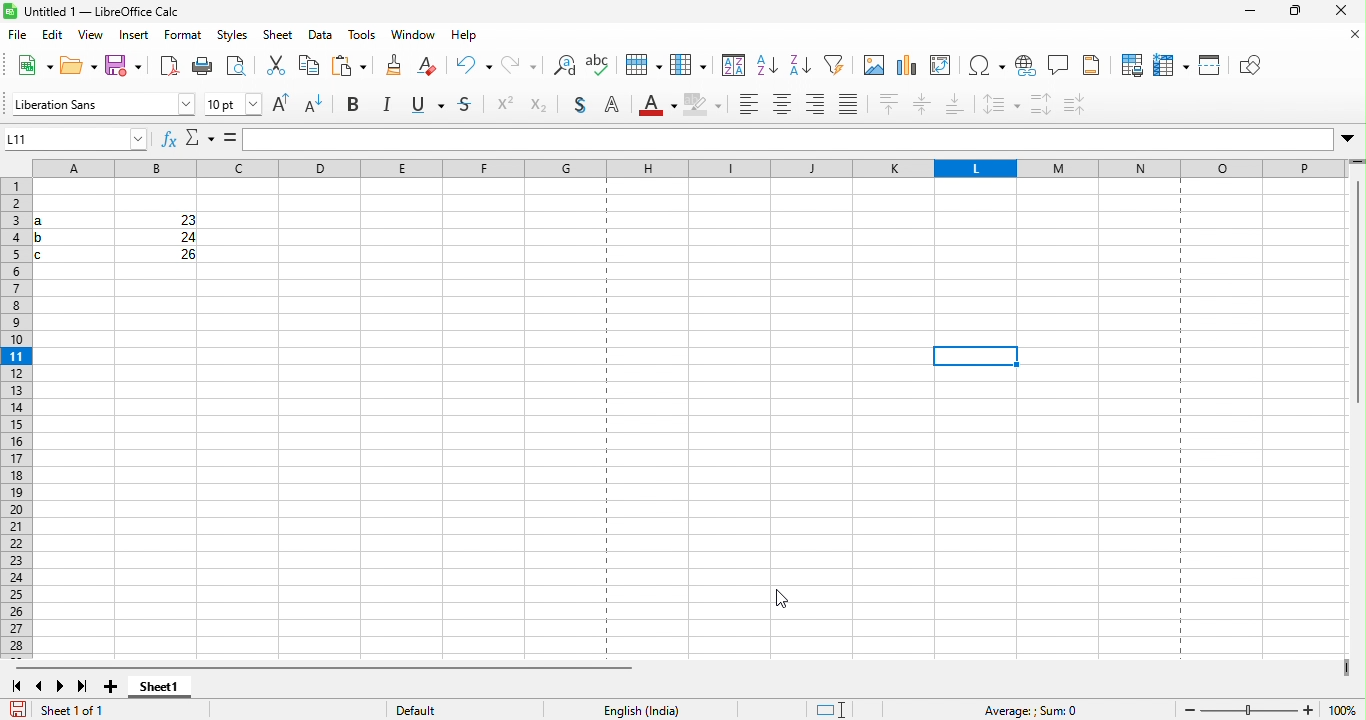  What do you see at coordinates (1209, 66) in the screenshot?
I see `split window` at bounding box center [1209, 66].